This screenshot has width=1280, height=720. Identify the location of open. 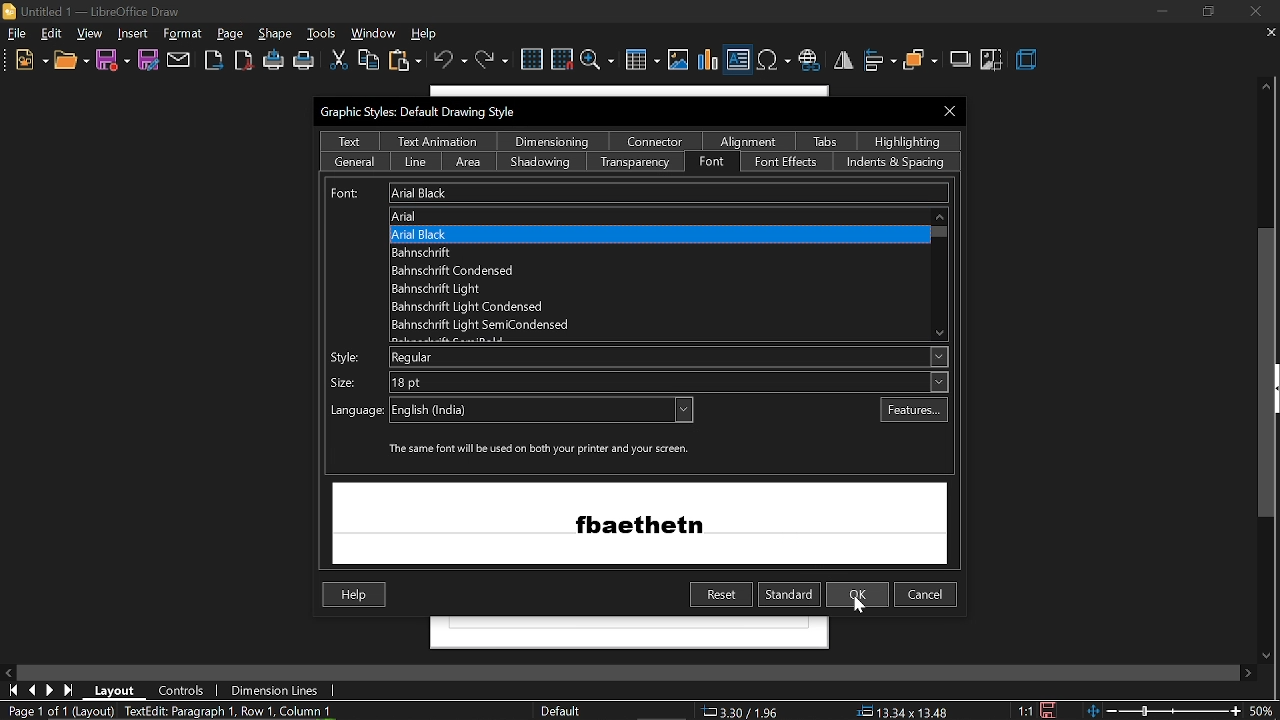
(70, 61).